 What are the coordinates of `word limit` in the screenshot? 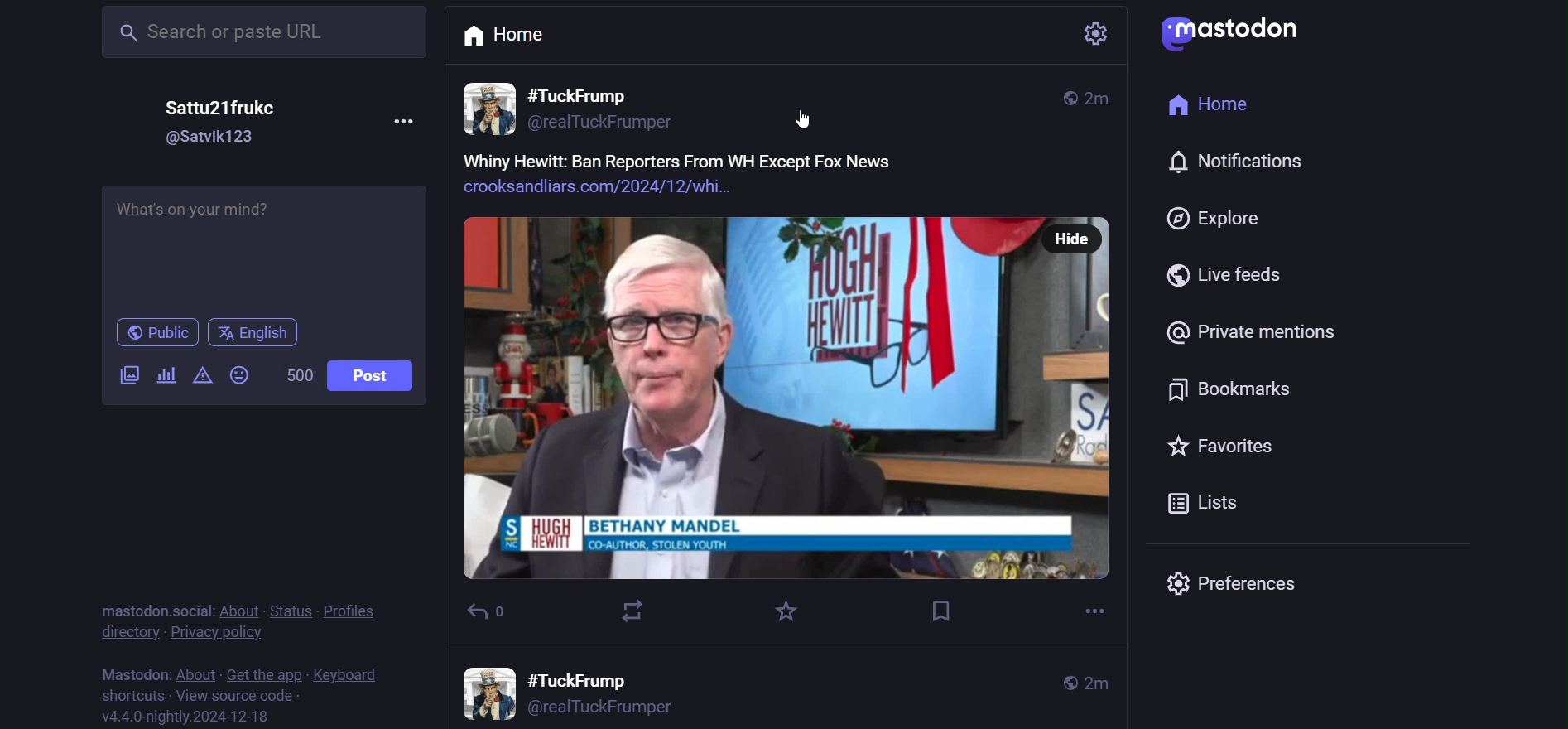 It's located at (300, 375).